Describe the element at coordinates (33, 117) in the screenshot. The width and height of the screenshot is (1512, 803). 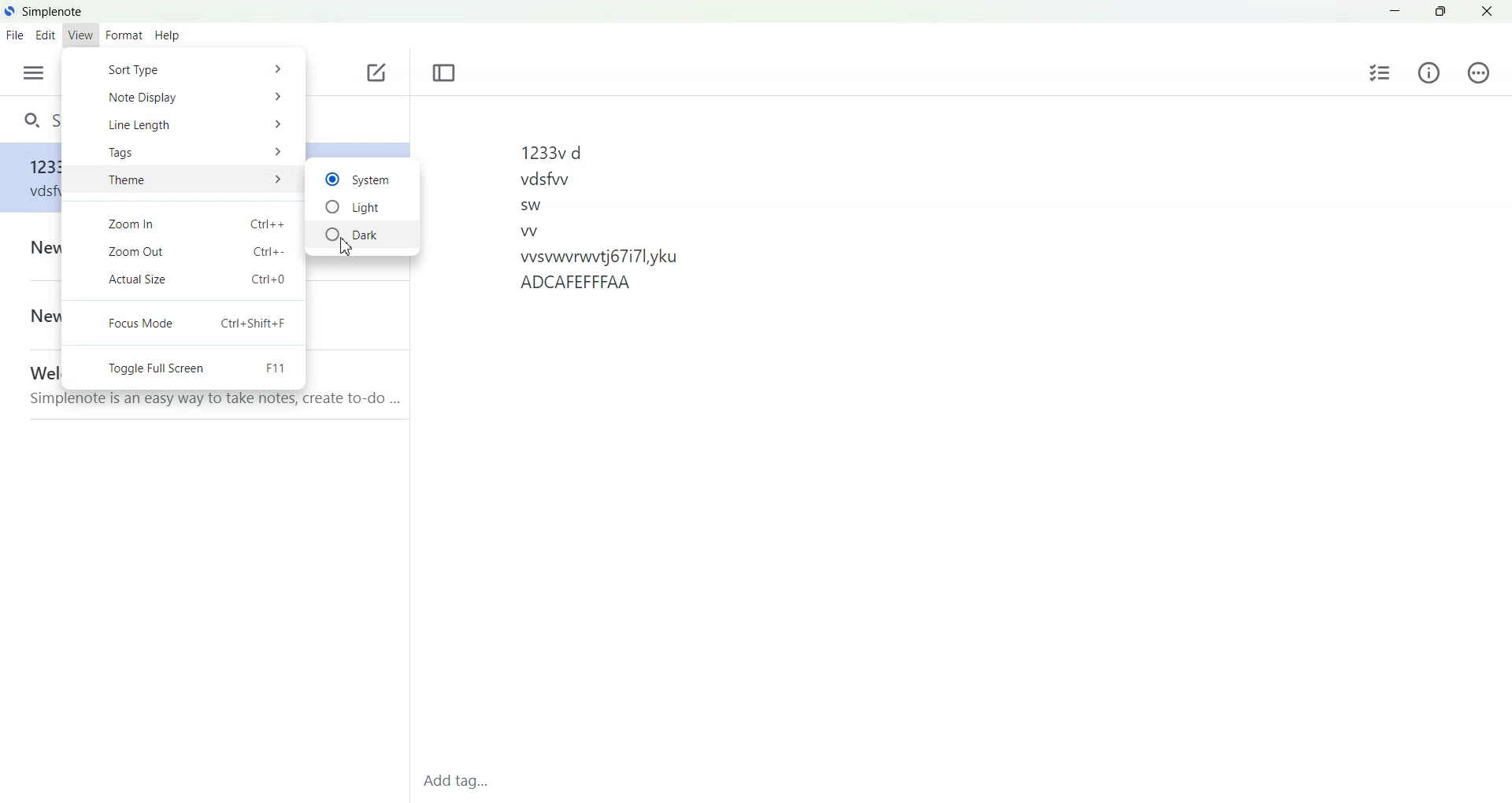
I see `Search notes and tags` at that location.